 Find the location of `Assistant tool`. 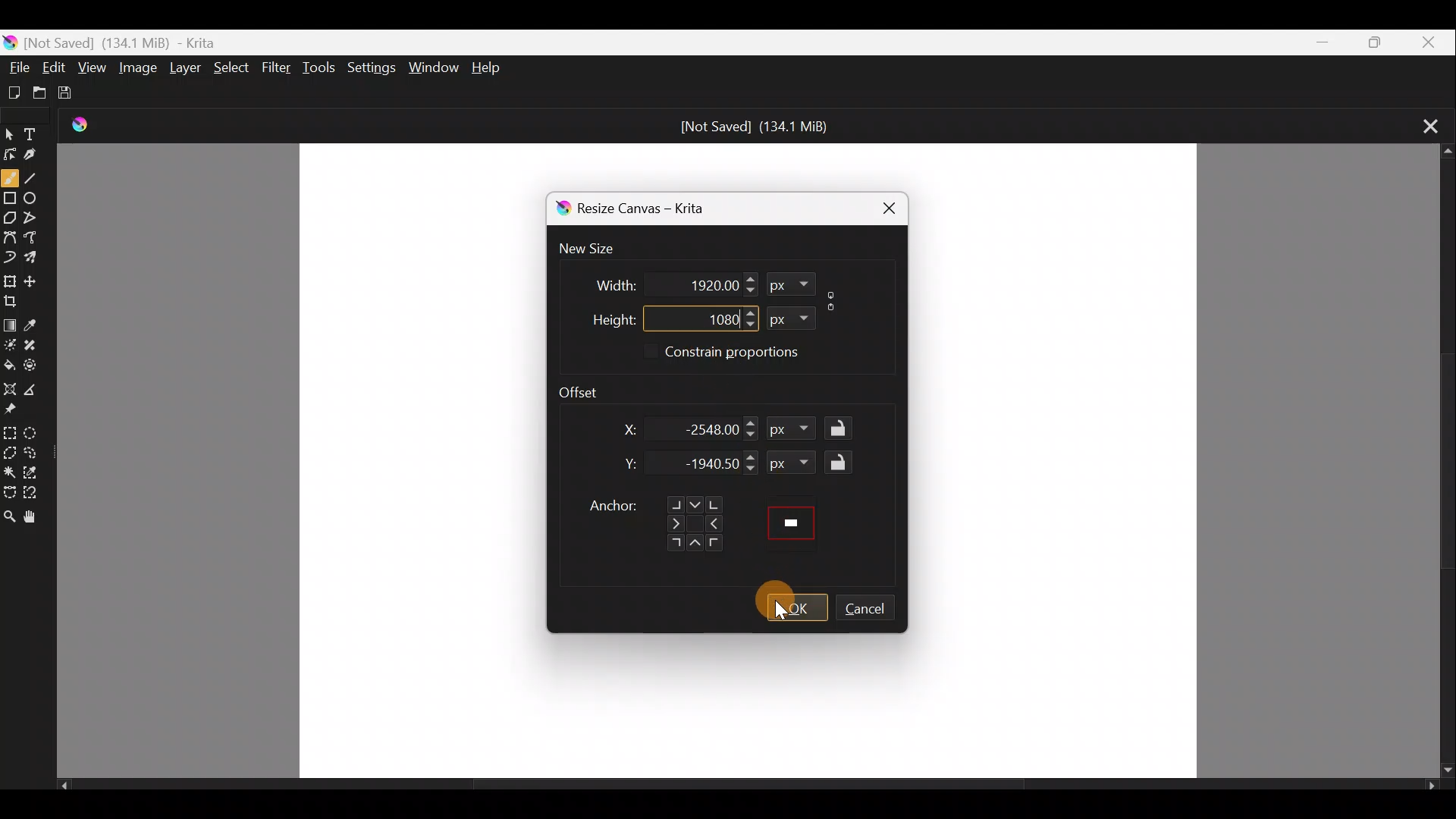

Assistant tool is located at coordinates (9, 386).